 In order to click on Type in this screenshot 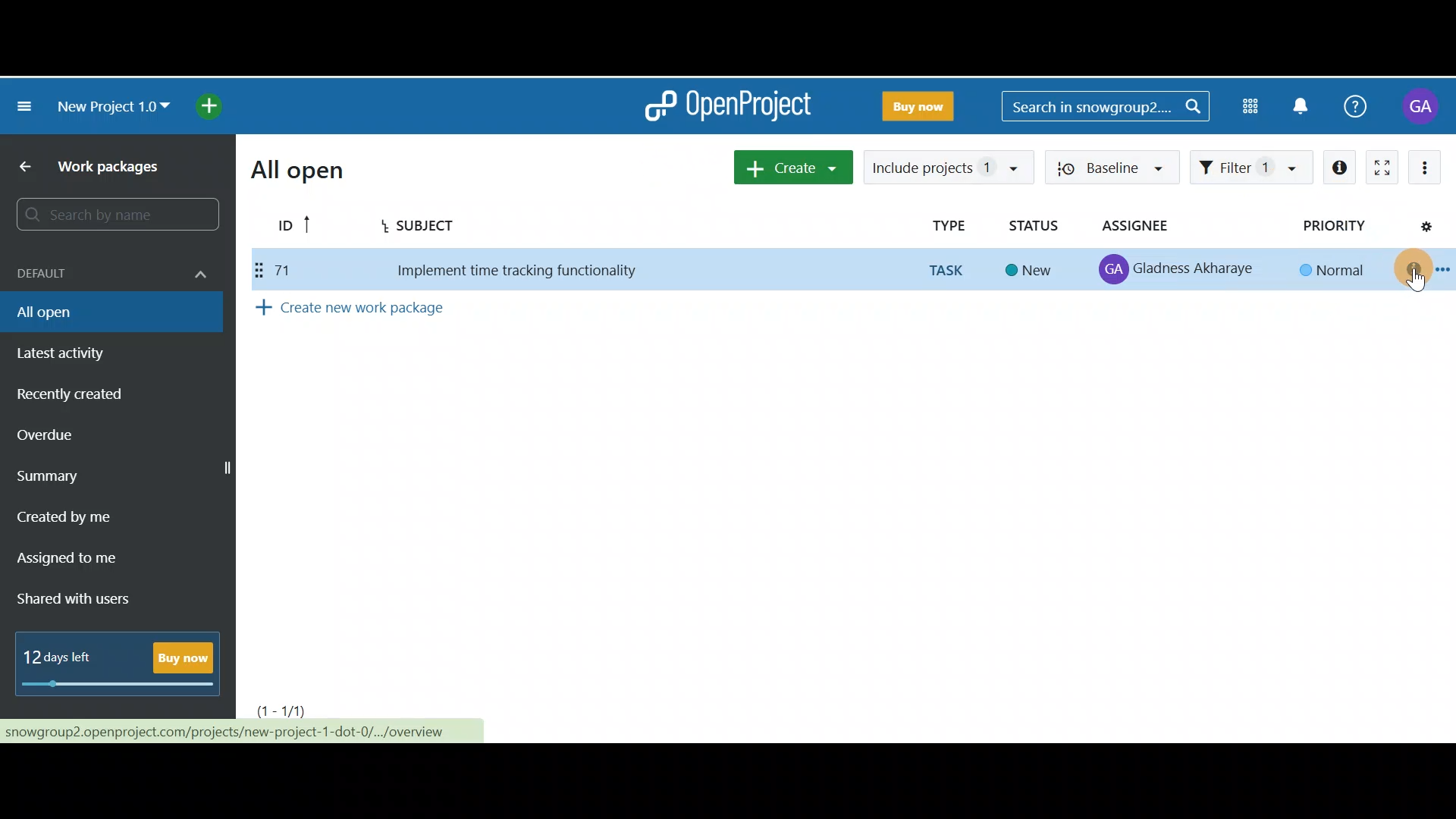, I will do `click(943, 221)`.